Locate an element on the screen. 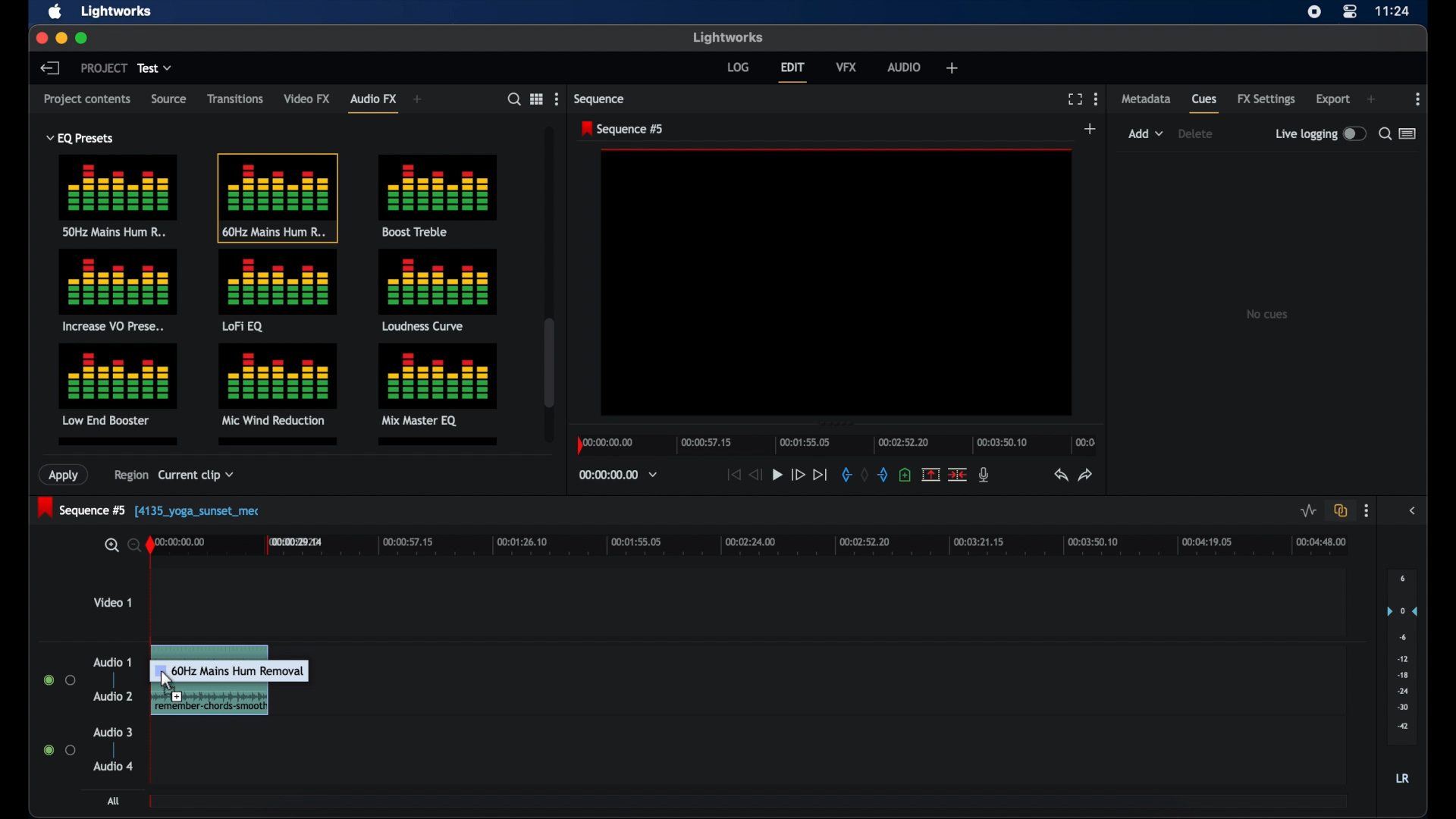  50hz is located at coordinates (118, 199).